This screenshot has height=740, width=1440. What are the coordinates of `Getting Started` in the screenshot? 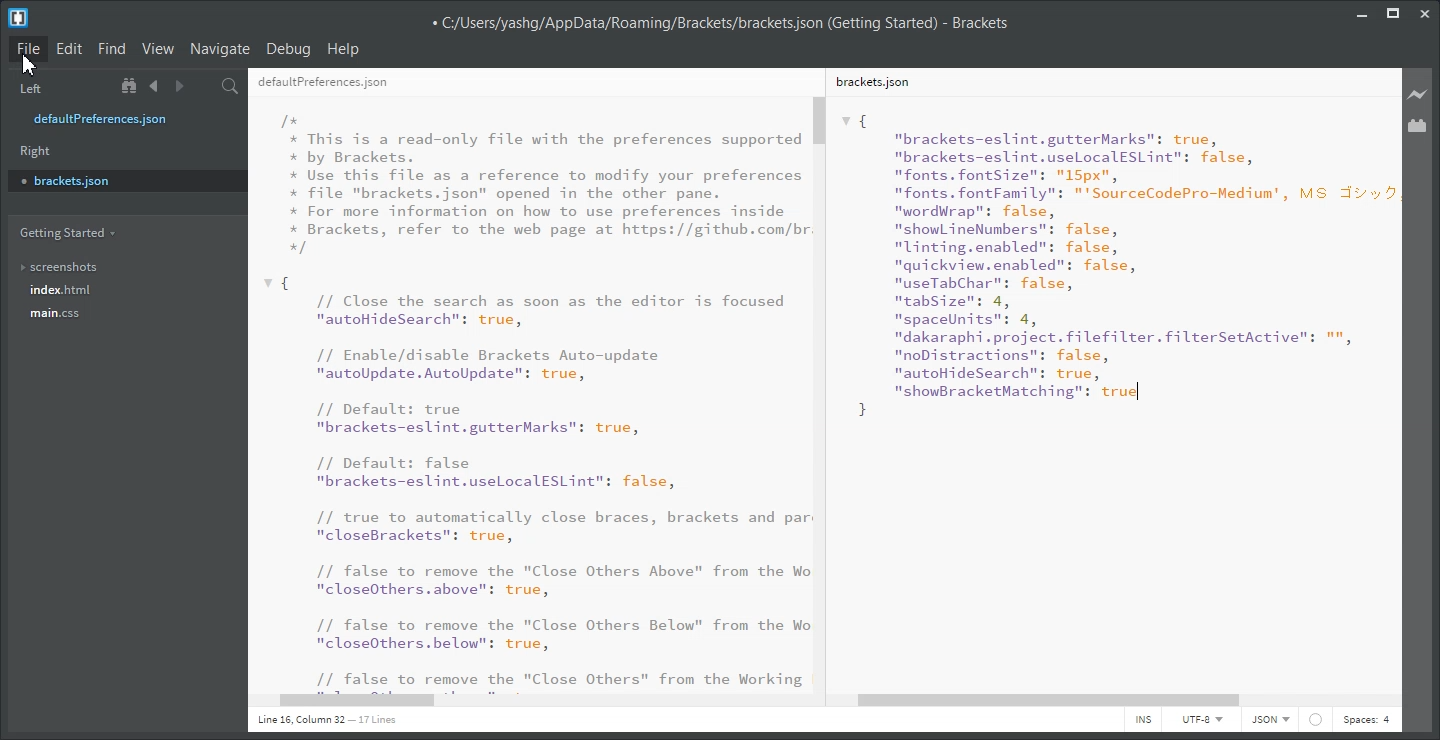 It's located at (66, 233).